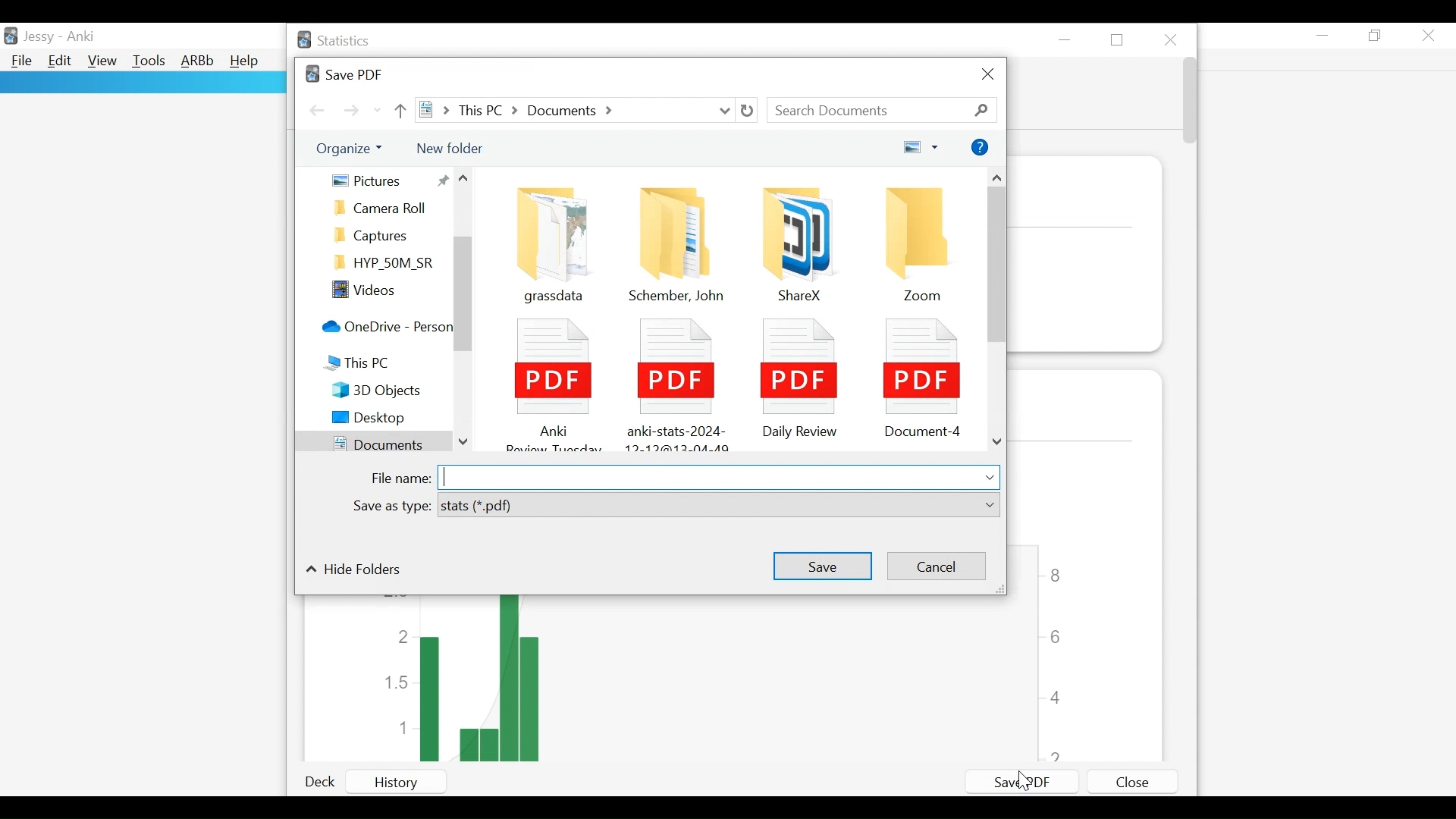 This screenshot has height=819, width=1456. I want to click on Minimize, so click(1068, 39).